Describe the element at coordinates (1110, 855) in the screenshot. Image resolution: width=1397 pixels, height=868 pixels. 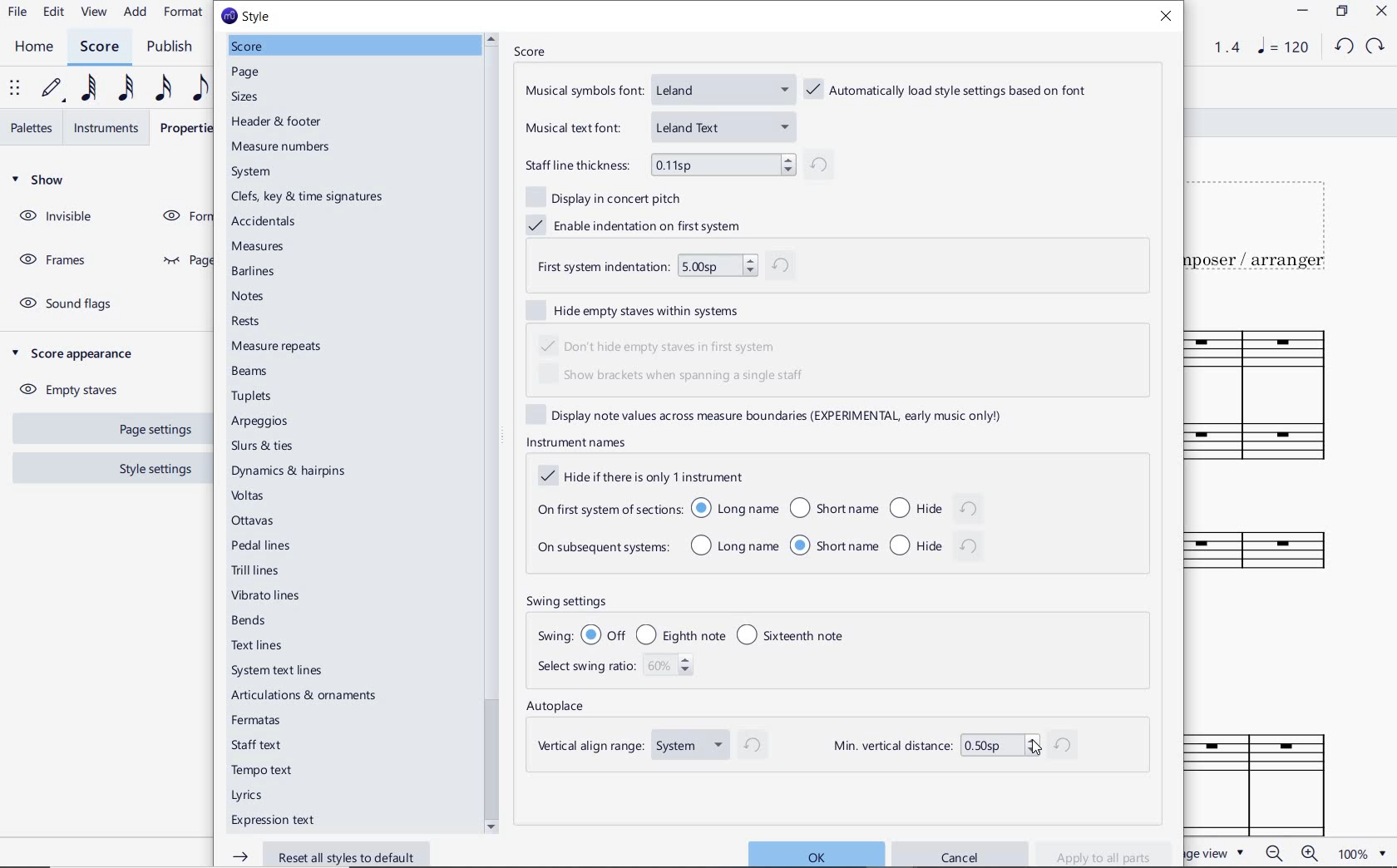
I see `apply to all parts` at that location.